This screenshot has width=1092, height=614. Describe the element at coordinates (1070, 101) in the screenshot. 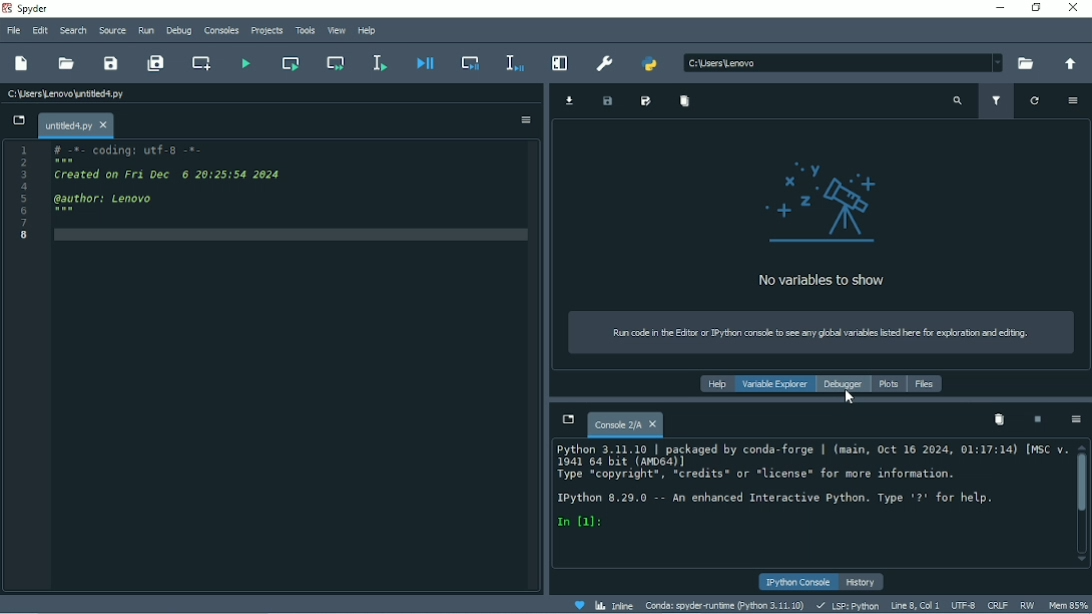

I see `Options` at that location.